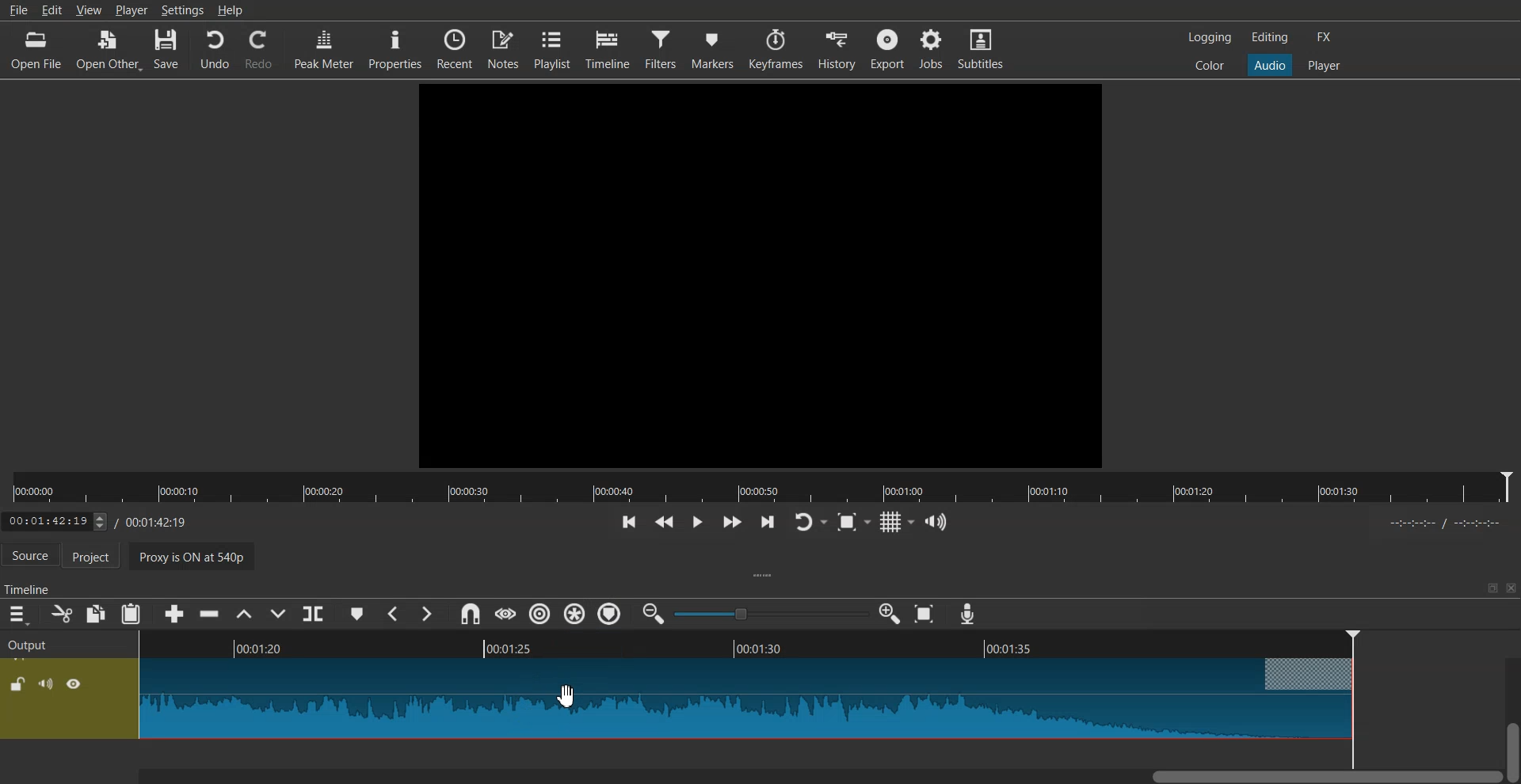  What do you see at coordinates (730, 522) in the screenshot?
I see `Play quickly forwards` at bounding box center [730, 522].